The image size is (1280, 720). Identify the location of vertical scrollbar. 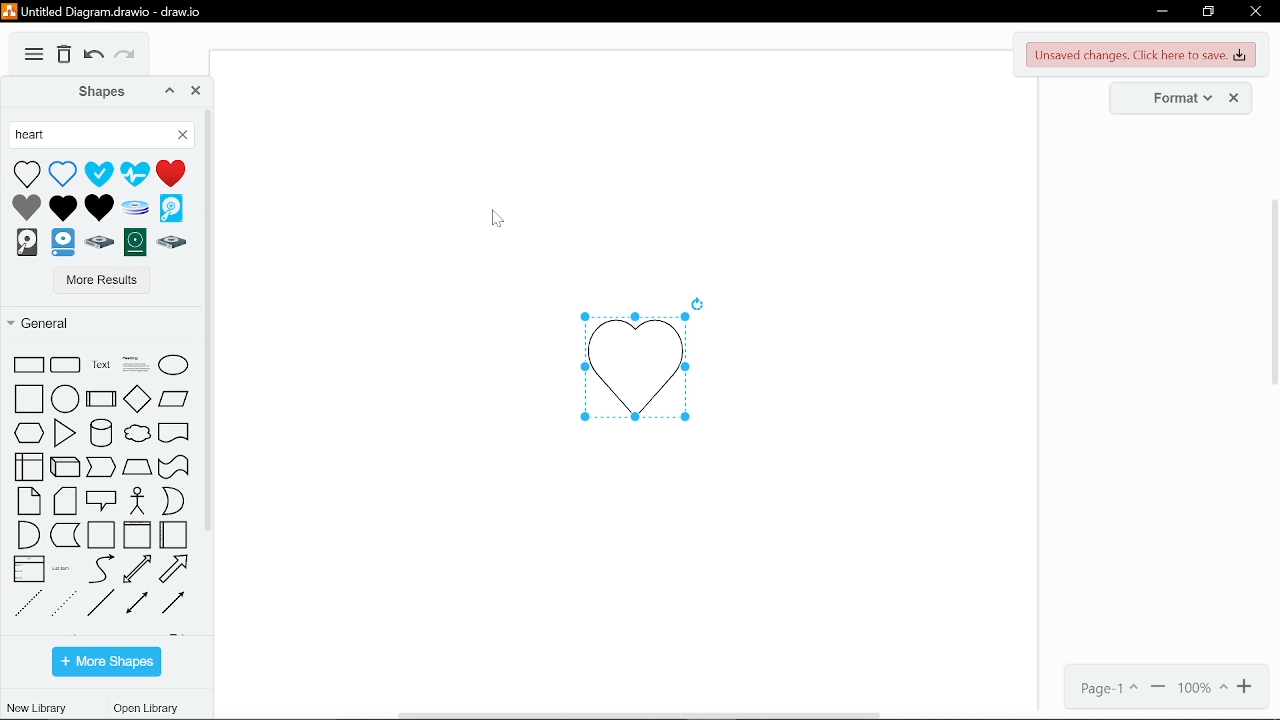
(1272, 291).